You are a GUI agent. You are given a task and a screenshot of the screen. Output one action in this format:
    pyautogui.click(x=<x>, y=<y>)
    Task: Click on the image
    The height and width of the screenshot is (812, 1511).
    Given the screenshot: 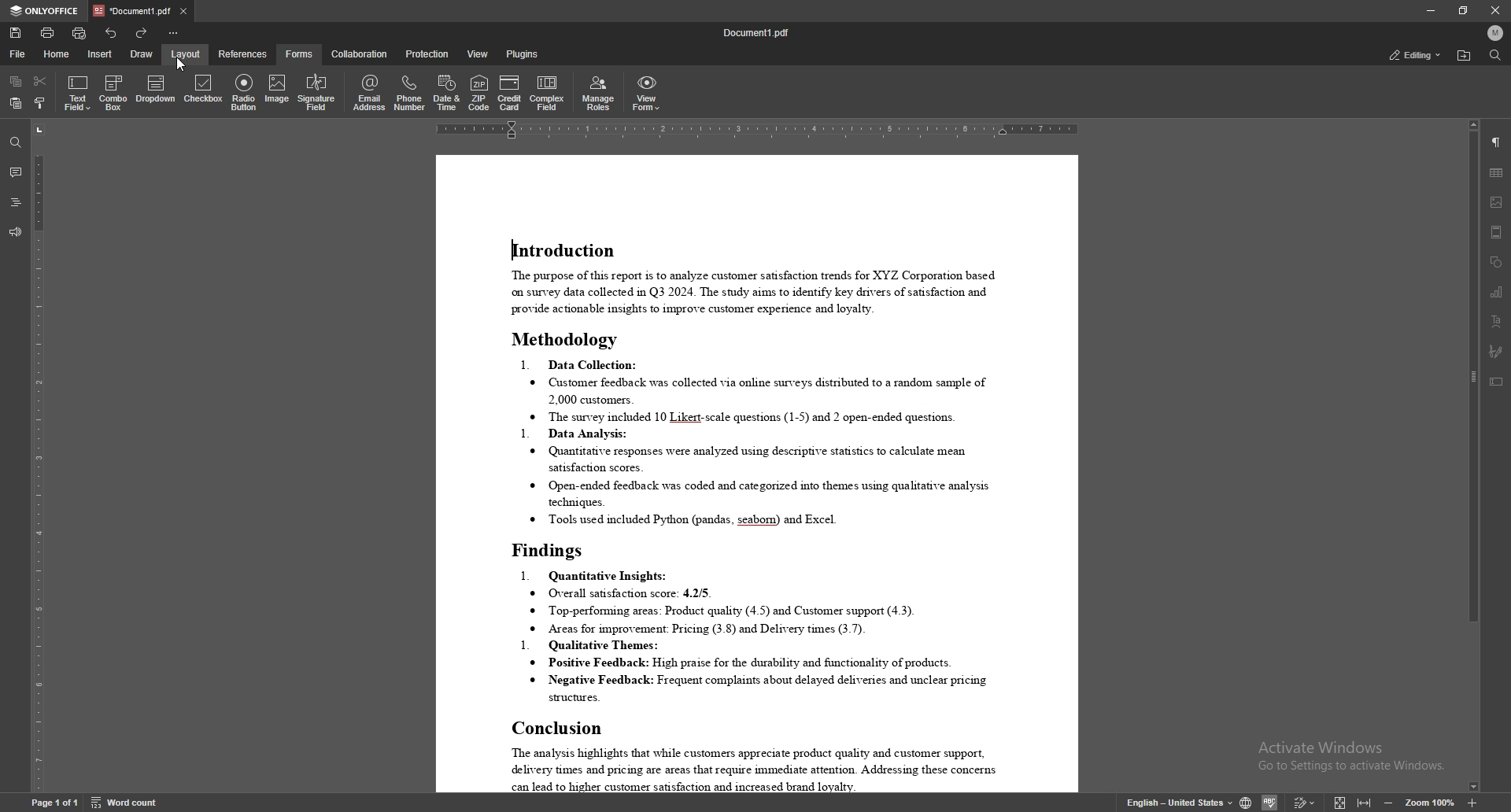 What is the action you would take?
    pyautogui.click(x=279, y=92)
    